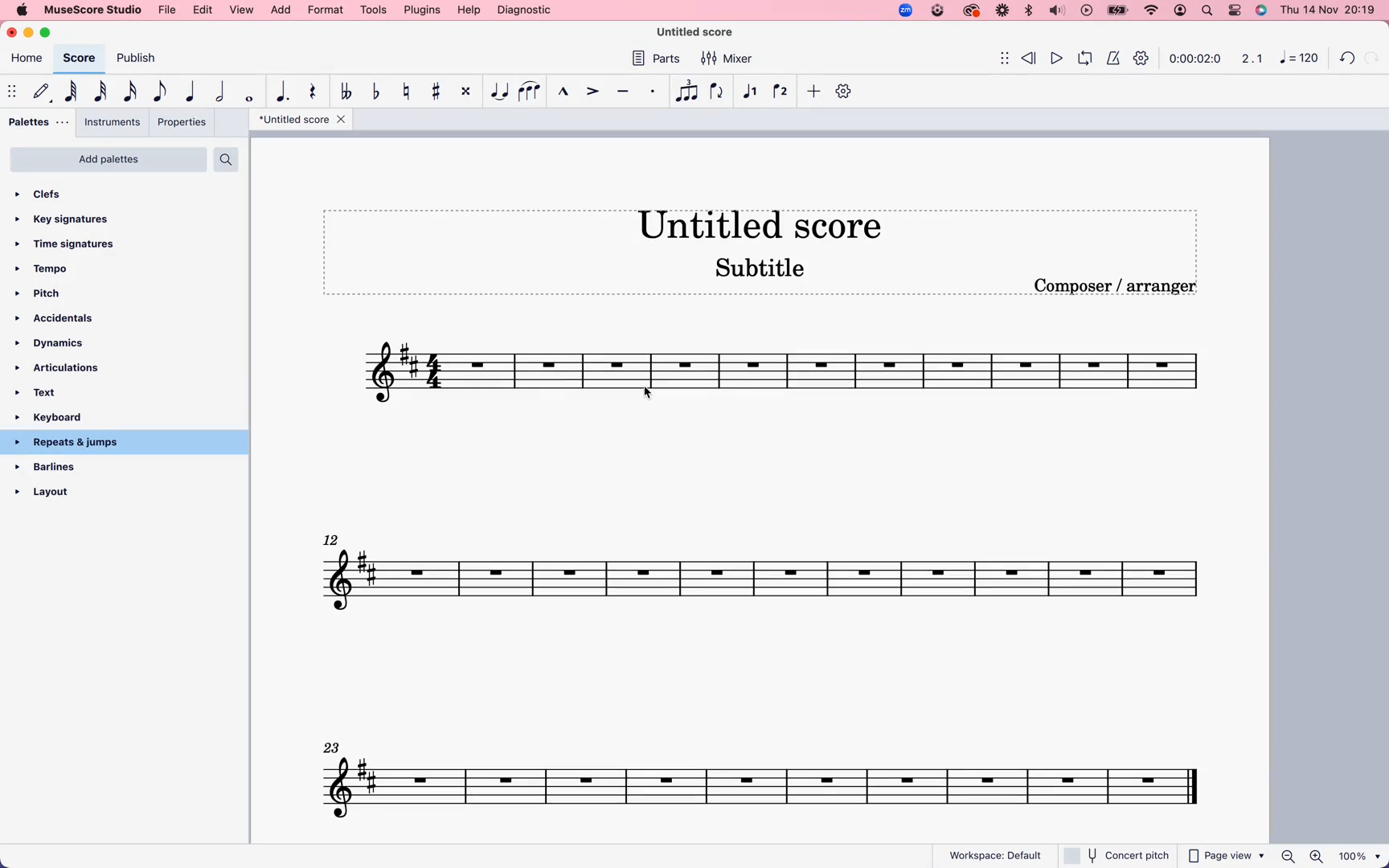 Image resolution: width=1389 pixels, height=868 pixels. Describe the element at coordinates (1182, 11) in the screenshot. I see `profile` at that location.